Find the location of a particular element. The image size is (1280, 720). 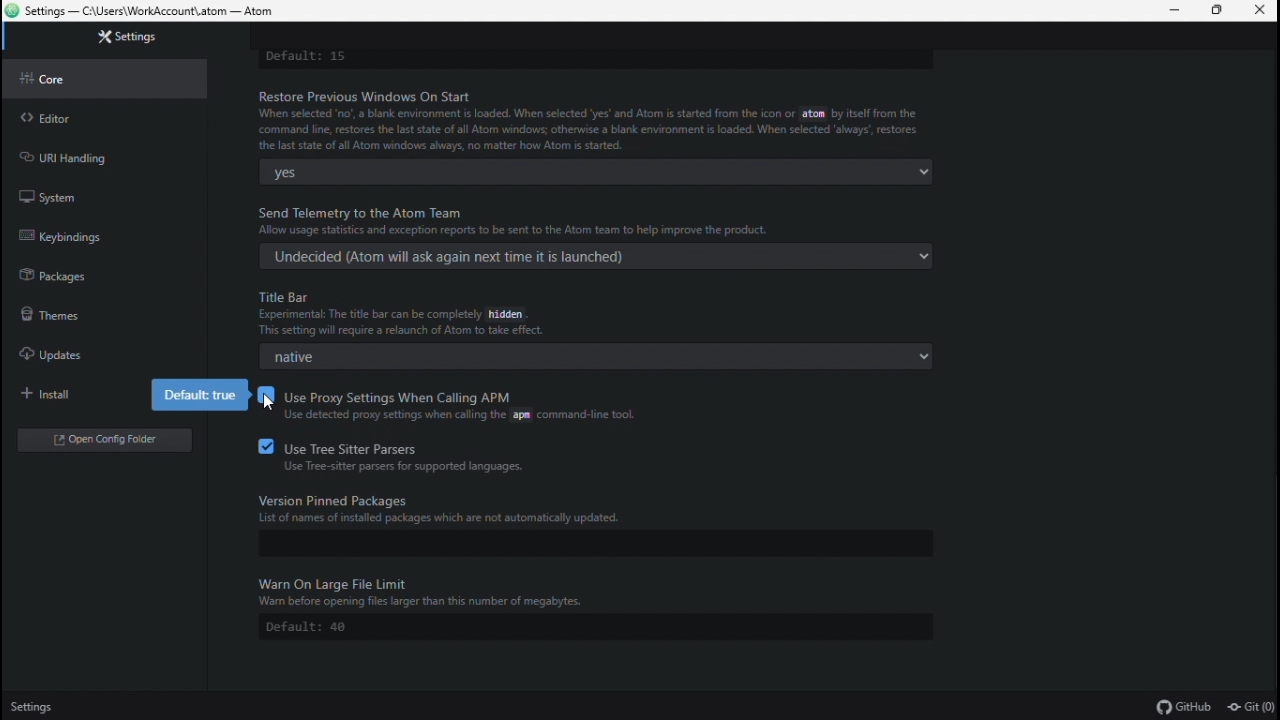

Editor is located at coordinates (95, 115).